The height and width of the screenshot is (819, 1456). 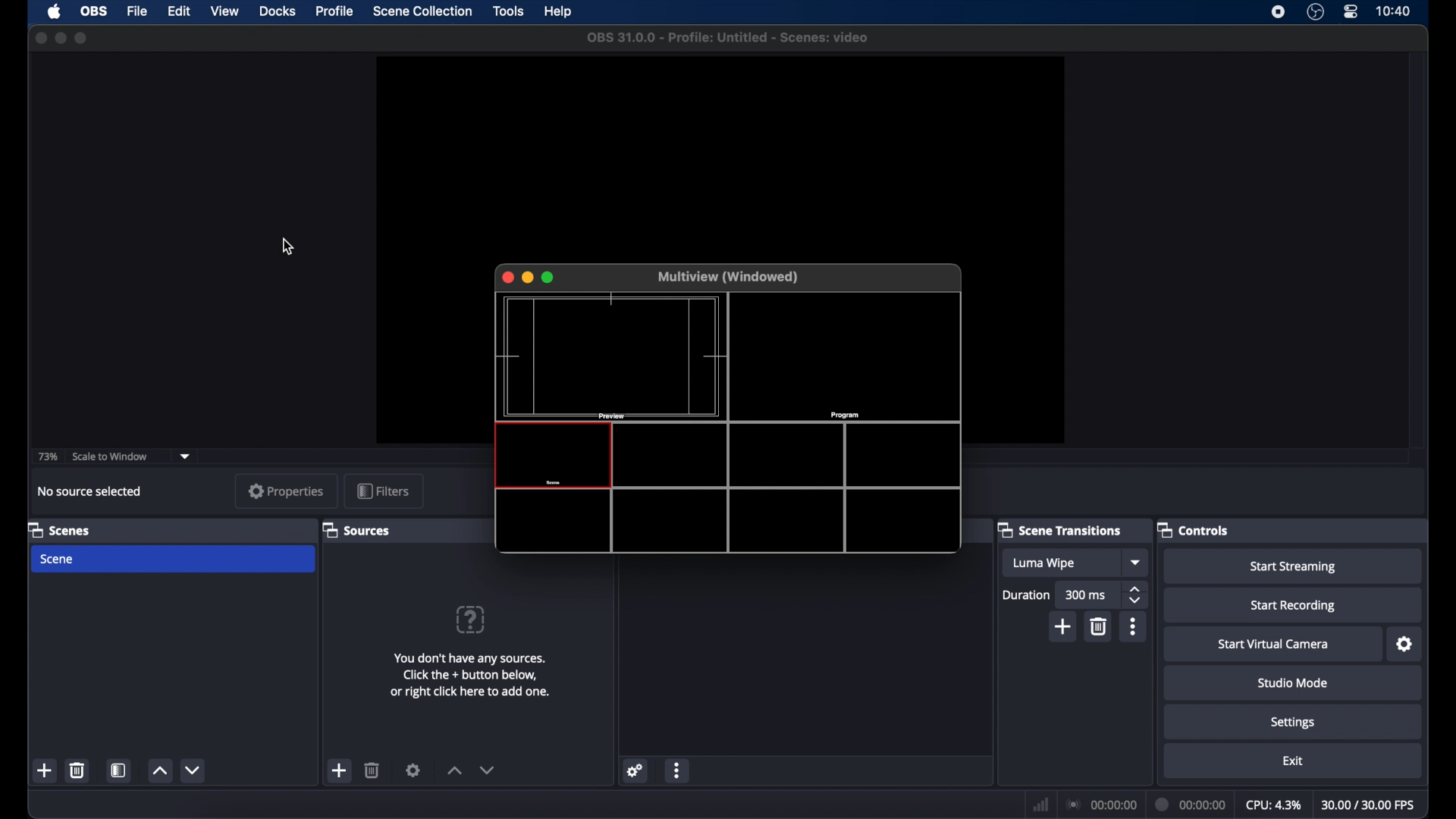 I want to click on settings, so click(x=1293, y=721).